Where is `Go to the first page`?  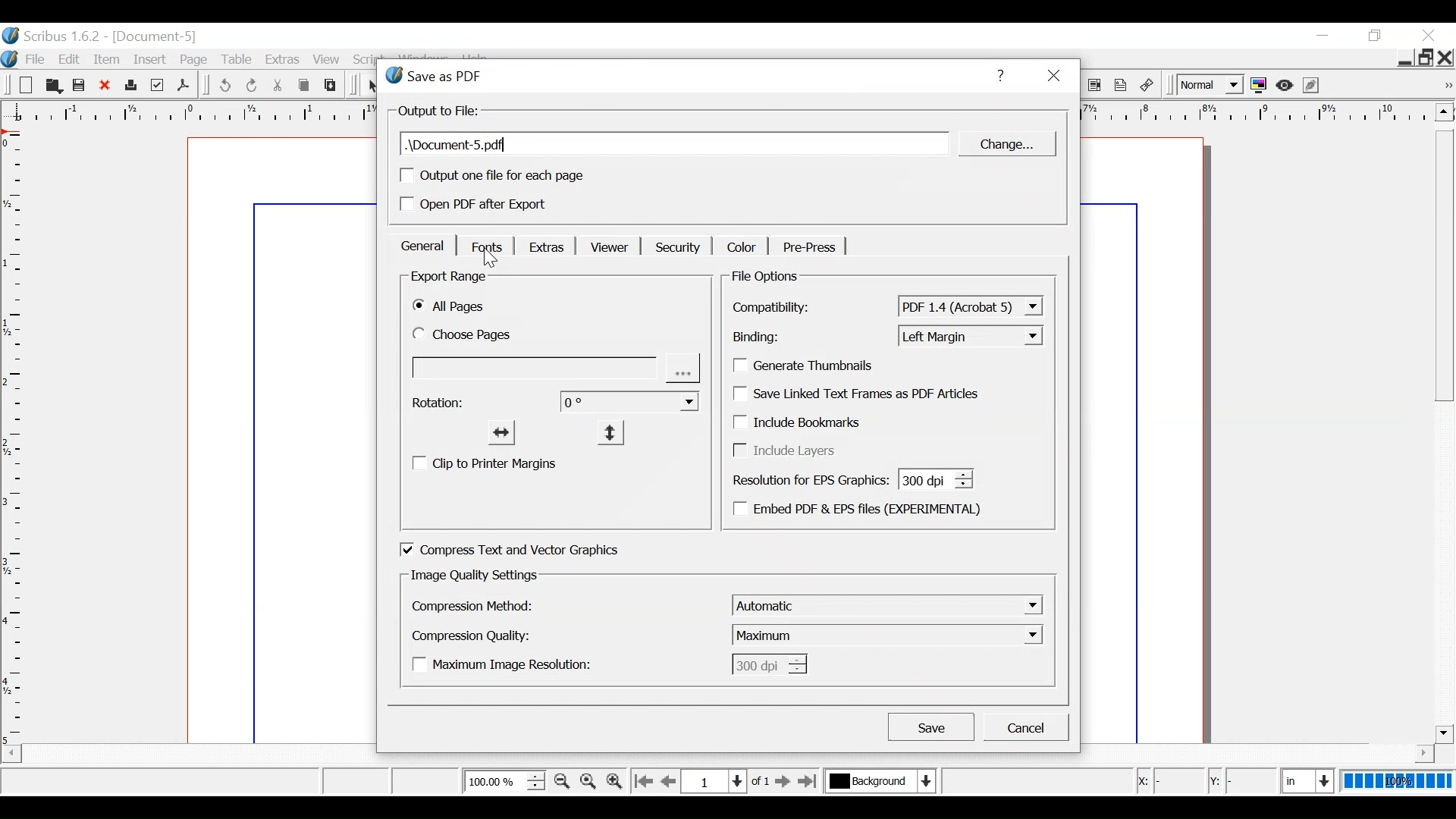 Go to the first page is located at coordinates (642, 782).